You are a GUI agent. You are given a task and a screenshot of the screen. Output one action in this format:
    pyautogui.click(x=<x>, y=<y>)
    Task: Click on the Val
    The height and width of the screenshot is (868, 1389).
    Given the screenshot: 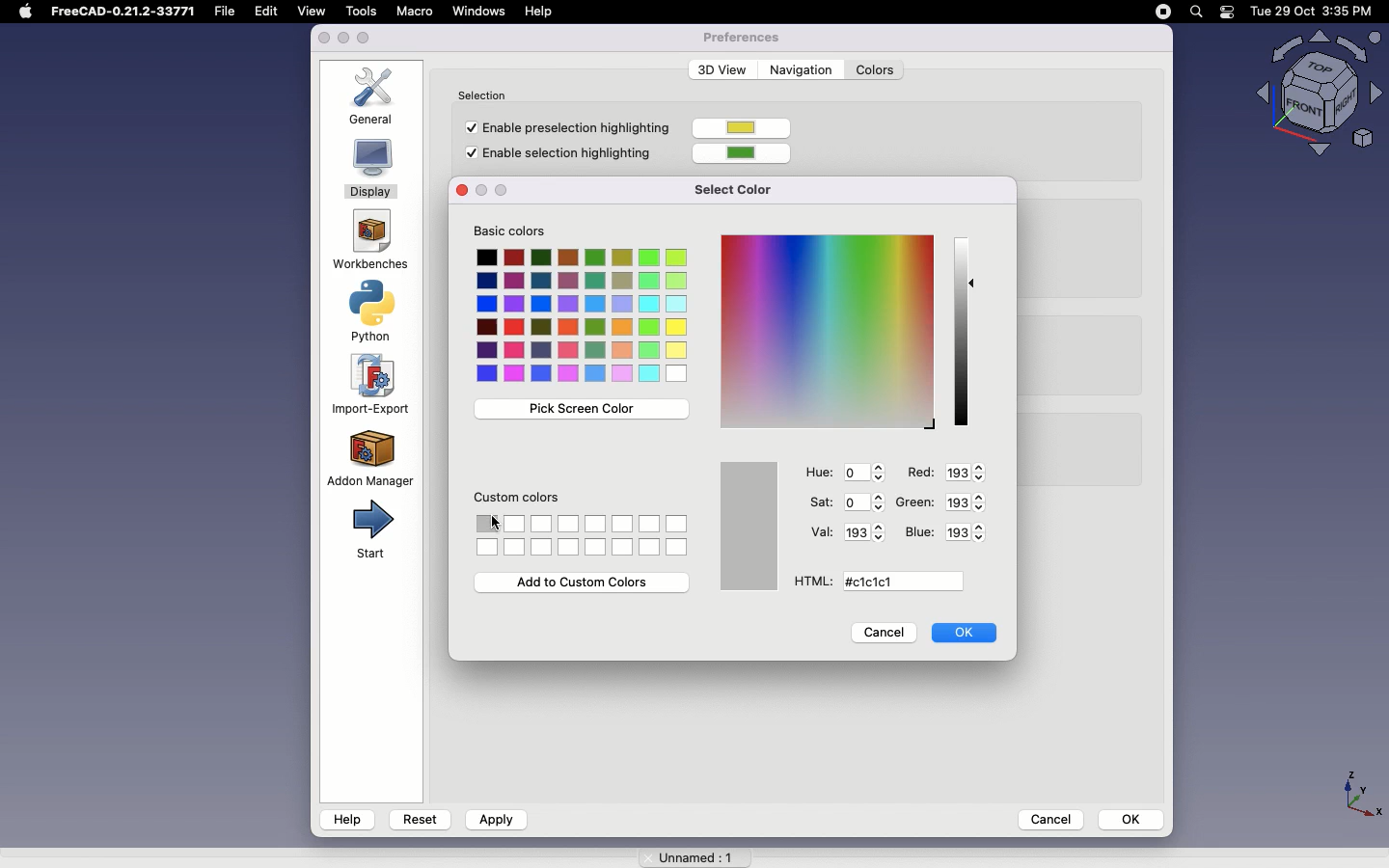 What is the action you would take?
    pyautogui.click(x=821, y=530)
    